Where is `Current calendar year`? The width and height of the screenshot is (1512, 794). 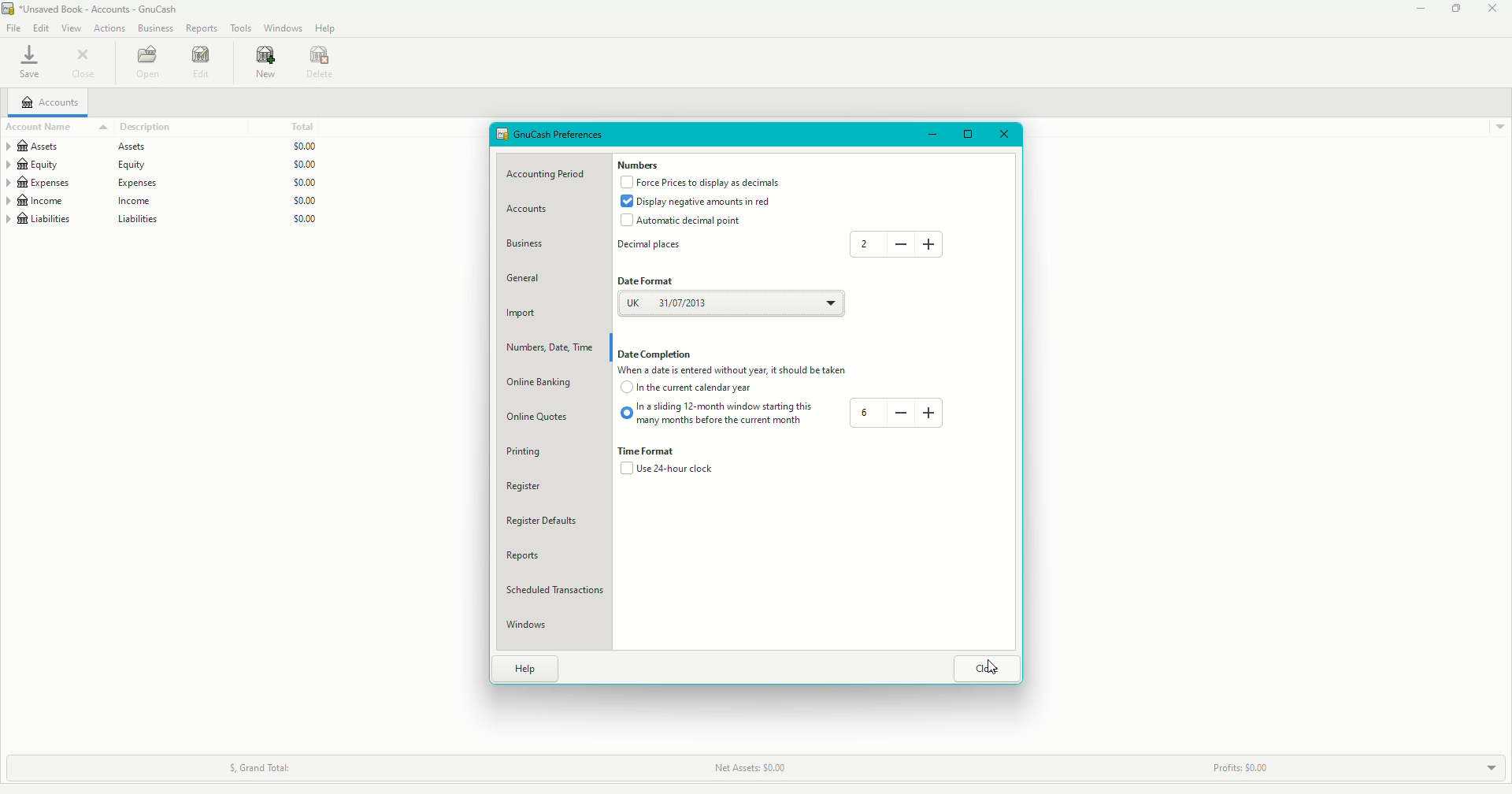 Current calendar year is located at coordinates (690, 391).